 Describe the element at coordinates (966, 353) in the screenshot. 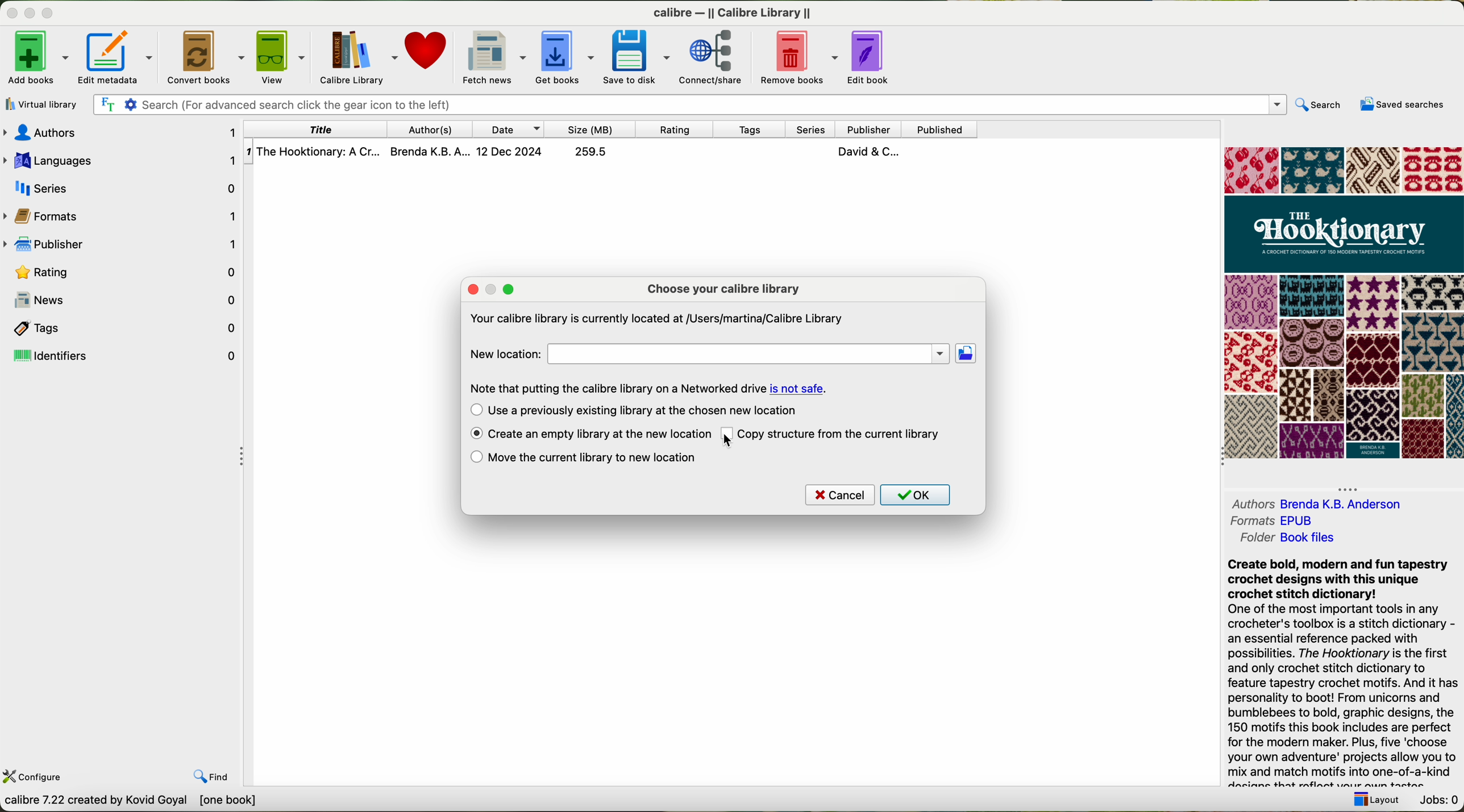

I see `location` at that location.